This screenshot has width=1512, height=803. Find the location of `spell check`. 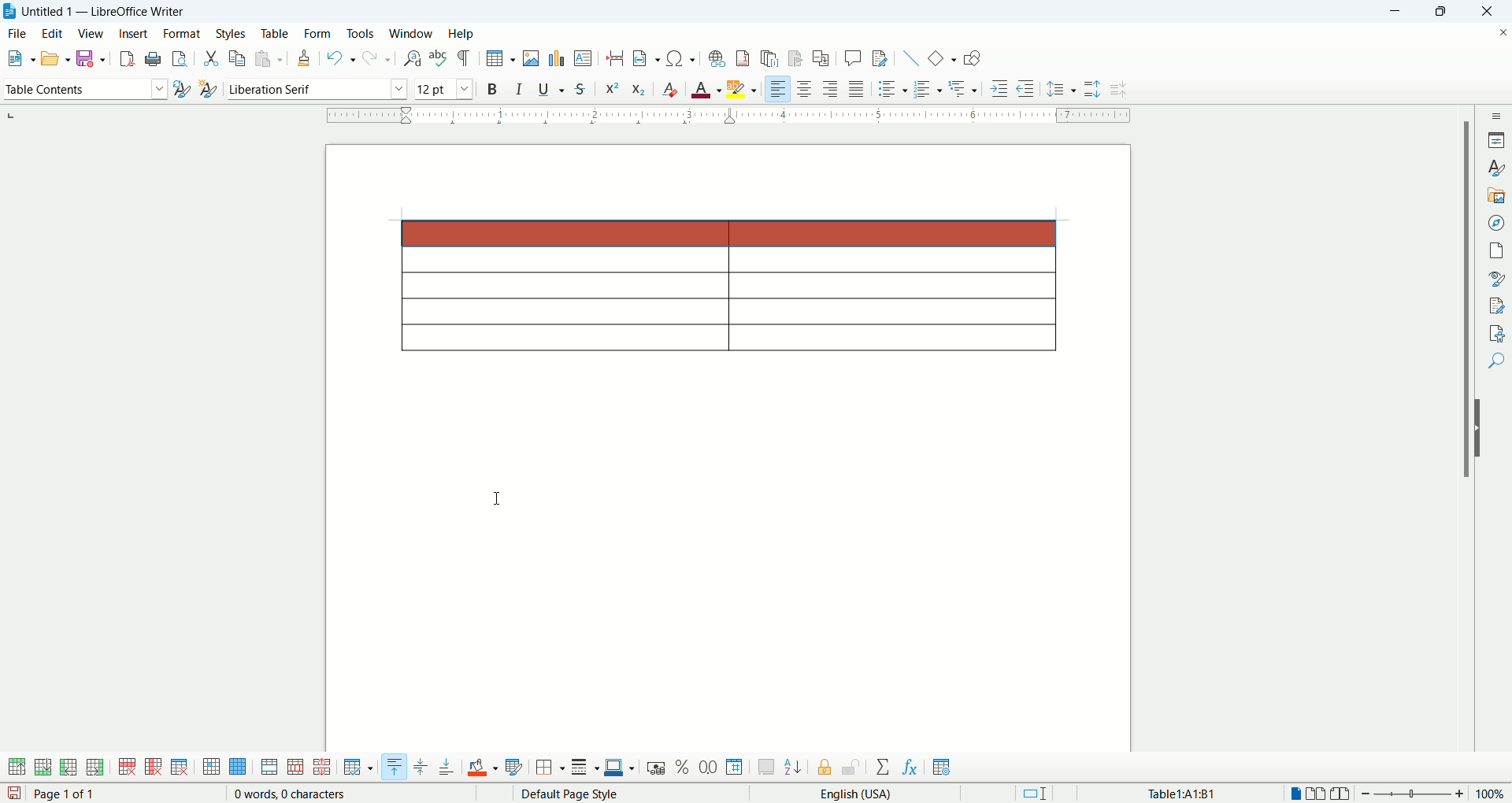

spell check is located at coordinates (439, 57).